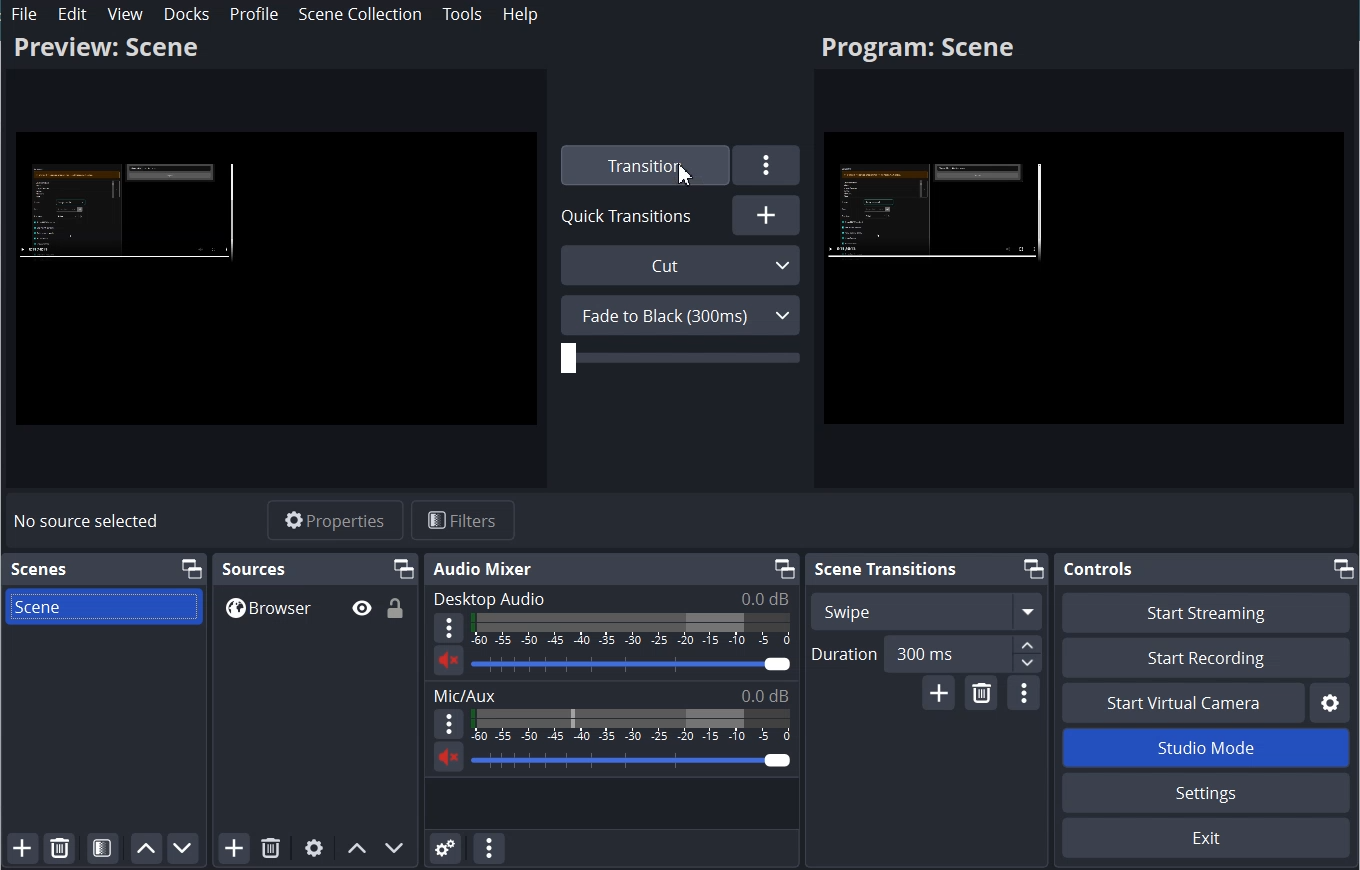 The width and height of the screenshot is (1360, 870). Describe the element at coordinates (1097, 569) in the screenshot. I see `Controls` at that location.